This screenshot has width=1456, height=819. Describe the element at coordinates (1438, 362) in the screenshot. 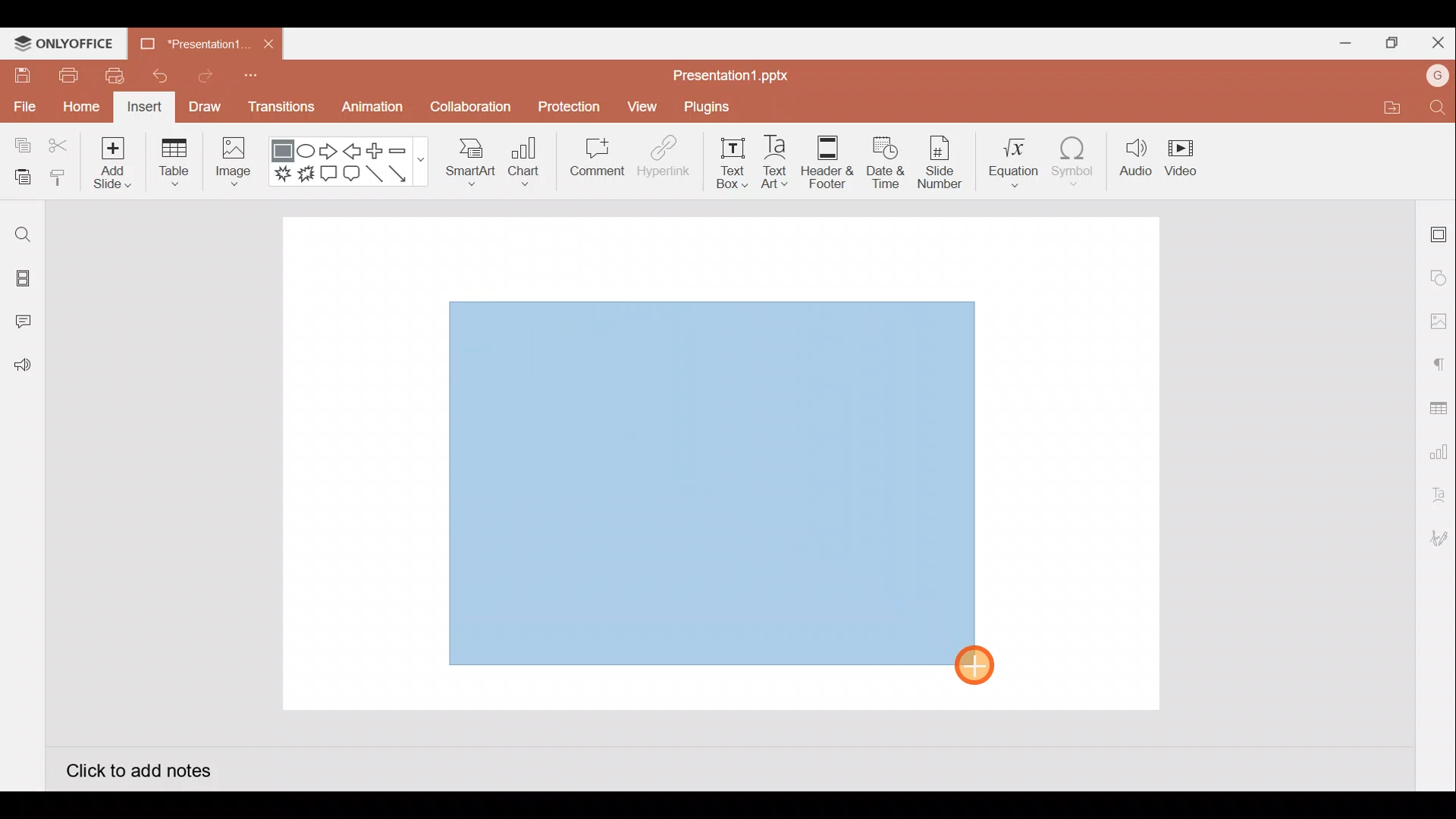

I see `Paragraph settings` at that location.